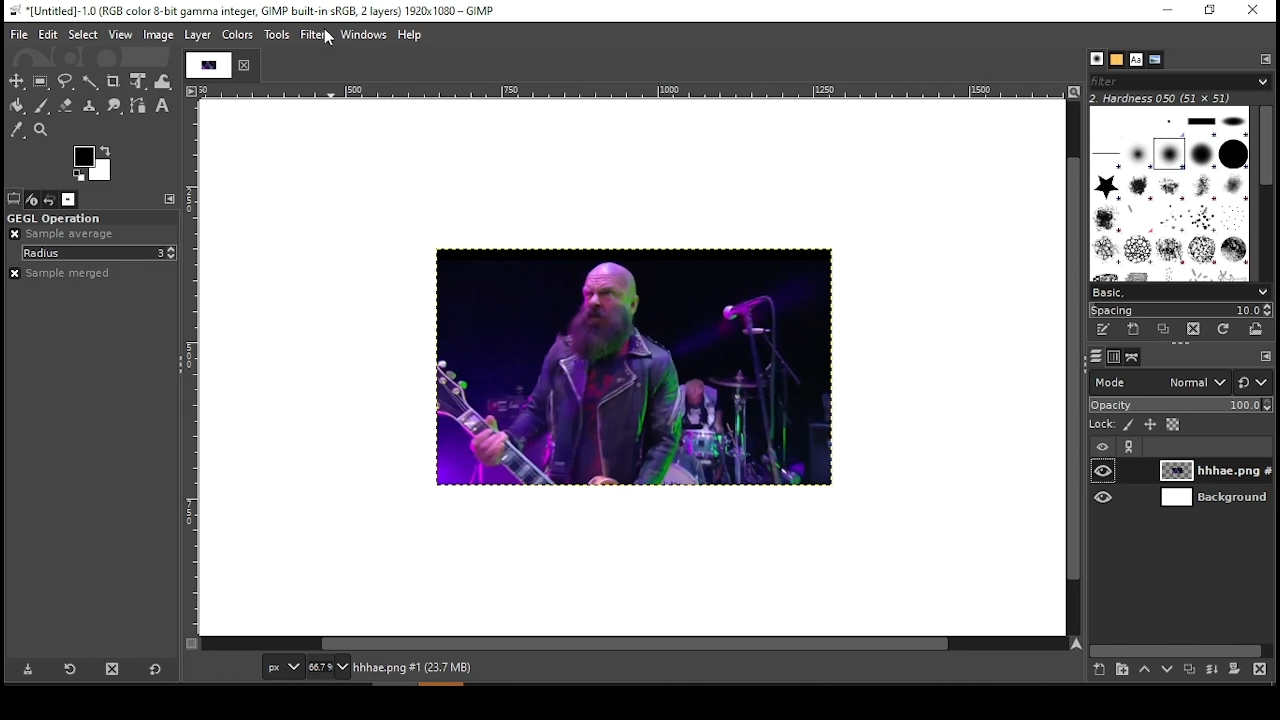 The image size is (1280, 720). Describe the element at coordinates (1179, 648) in the screenshot. I see `scroll bar` at that location.